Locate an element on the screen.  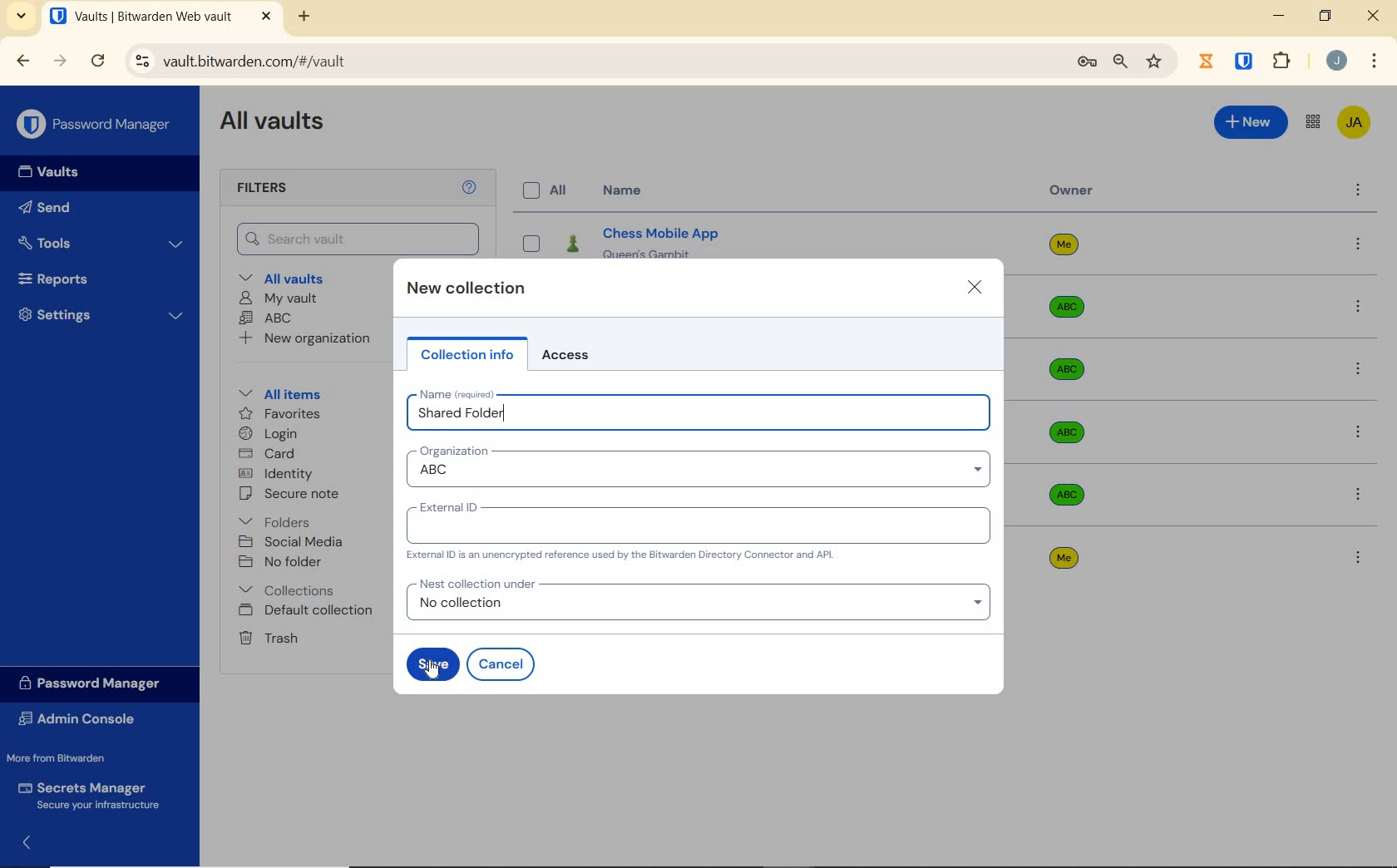
Help is located at coordinates (467, 188).